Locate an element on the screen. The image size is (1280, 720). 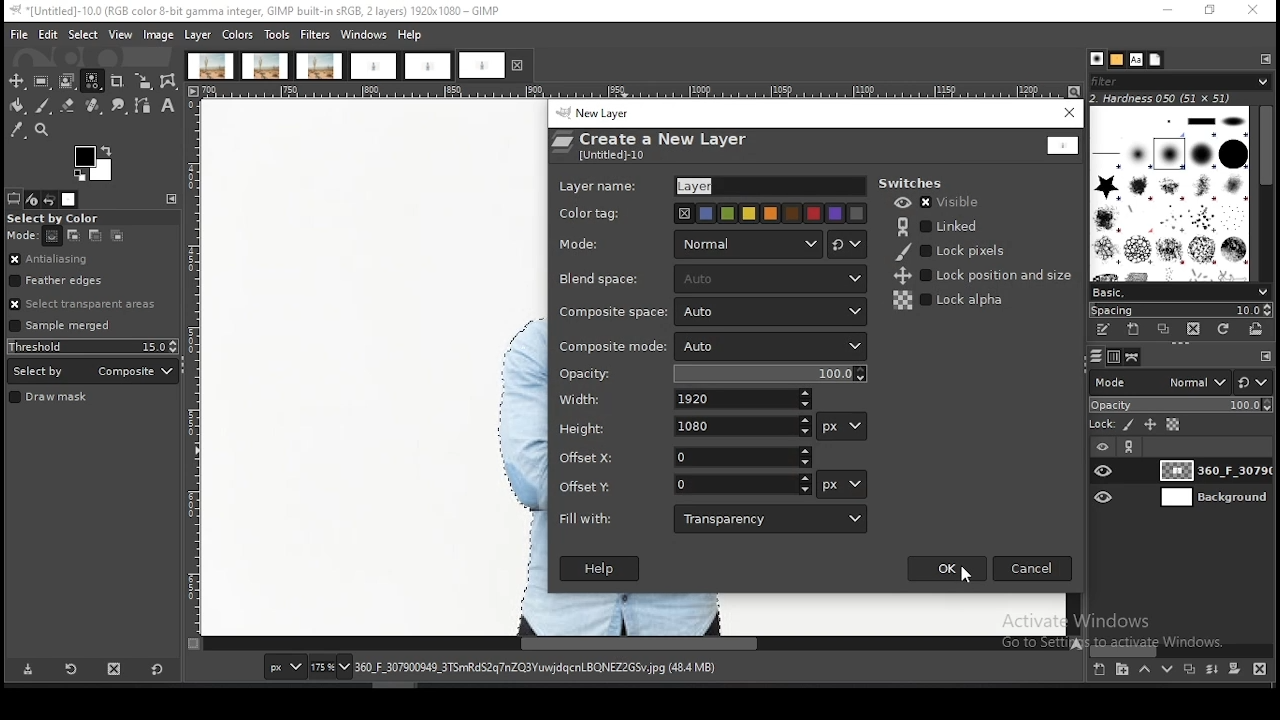
save tool preset is located at coordinates (27, 669).